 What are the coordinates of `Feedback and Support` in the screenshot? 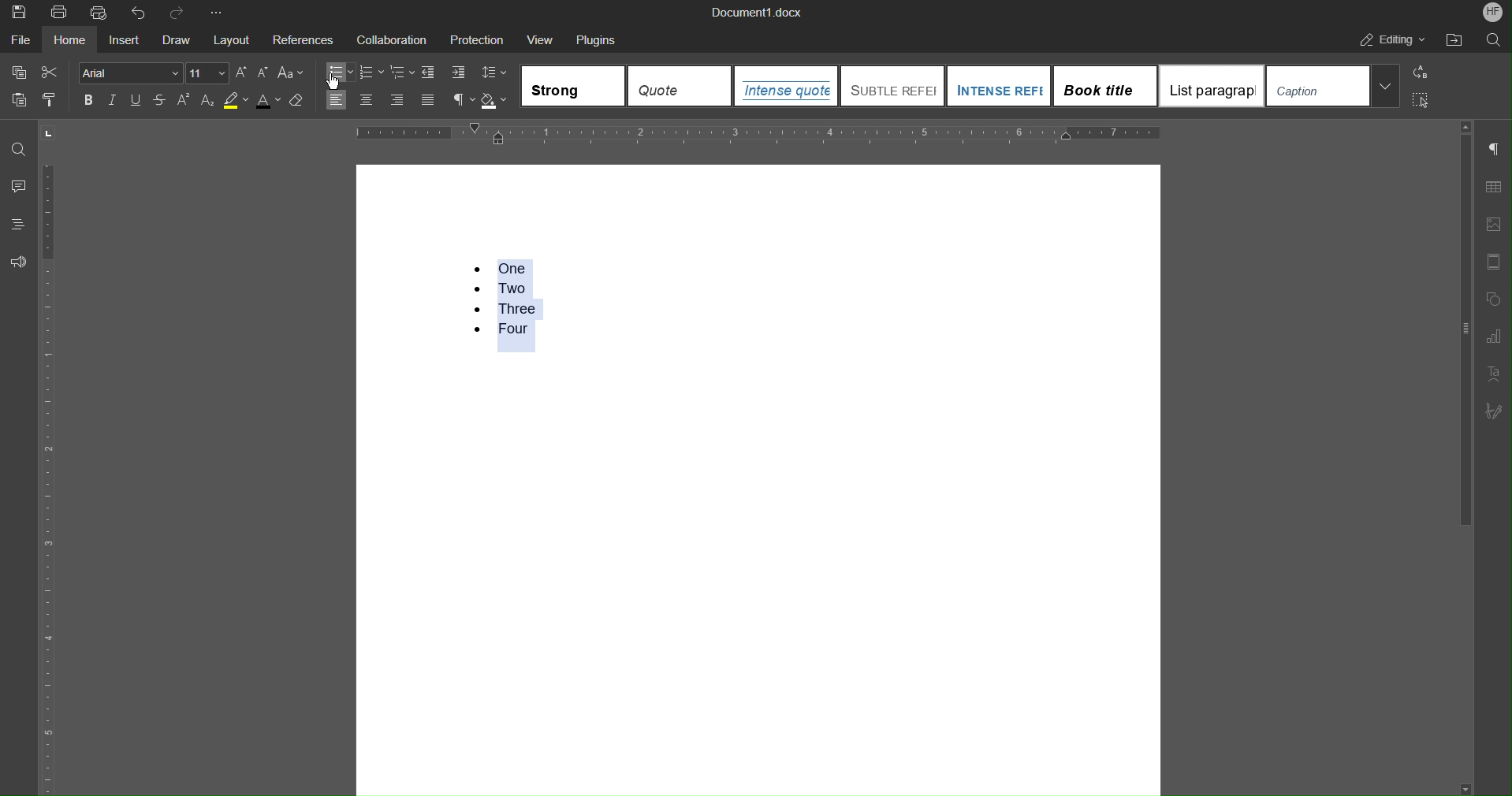 It's located at (19, 261).